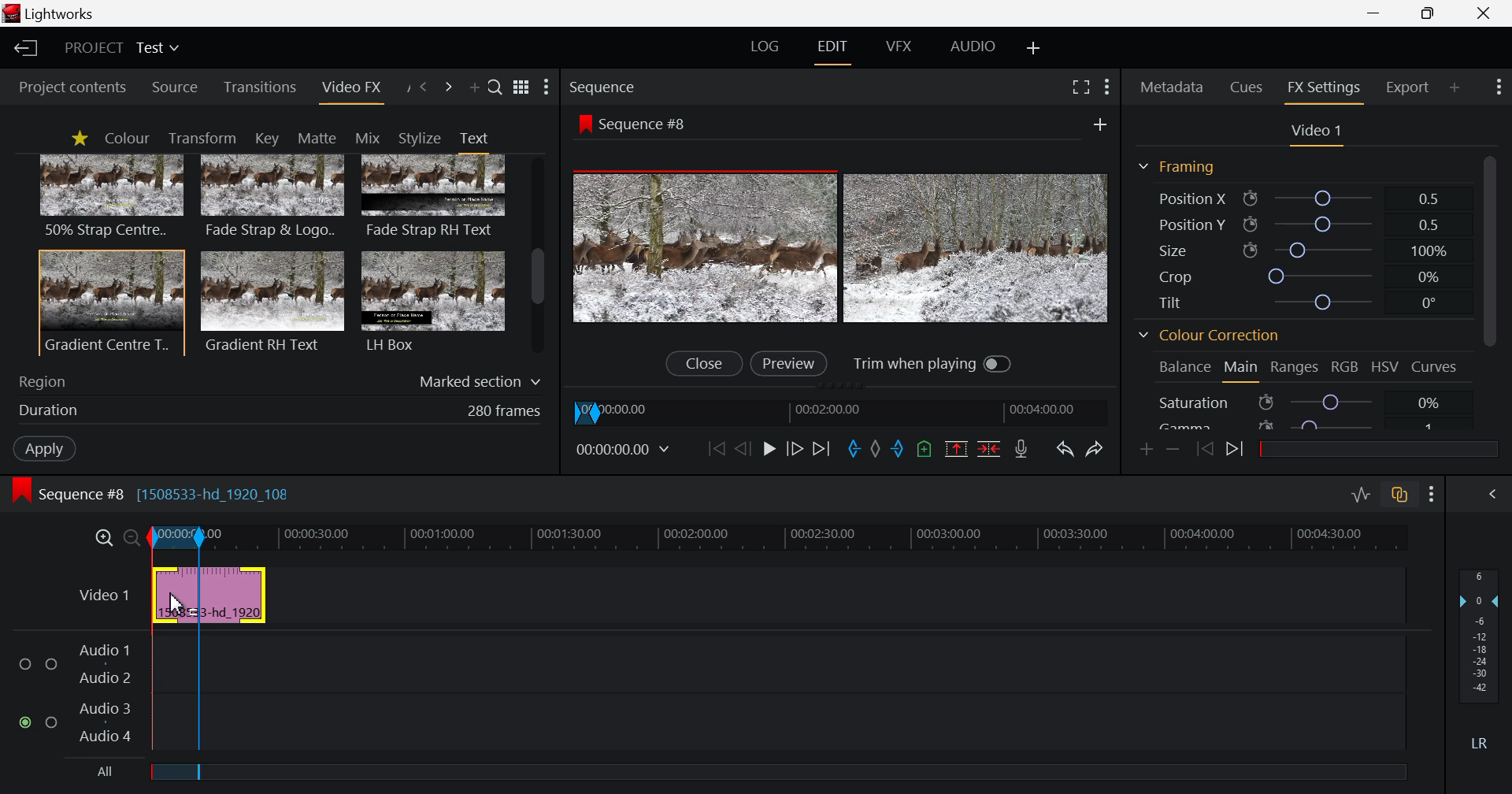 This screenshot has height=794, width=1512. I want to click on audio 1, so click(104, 648).